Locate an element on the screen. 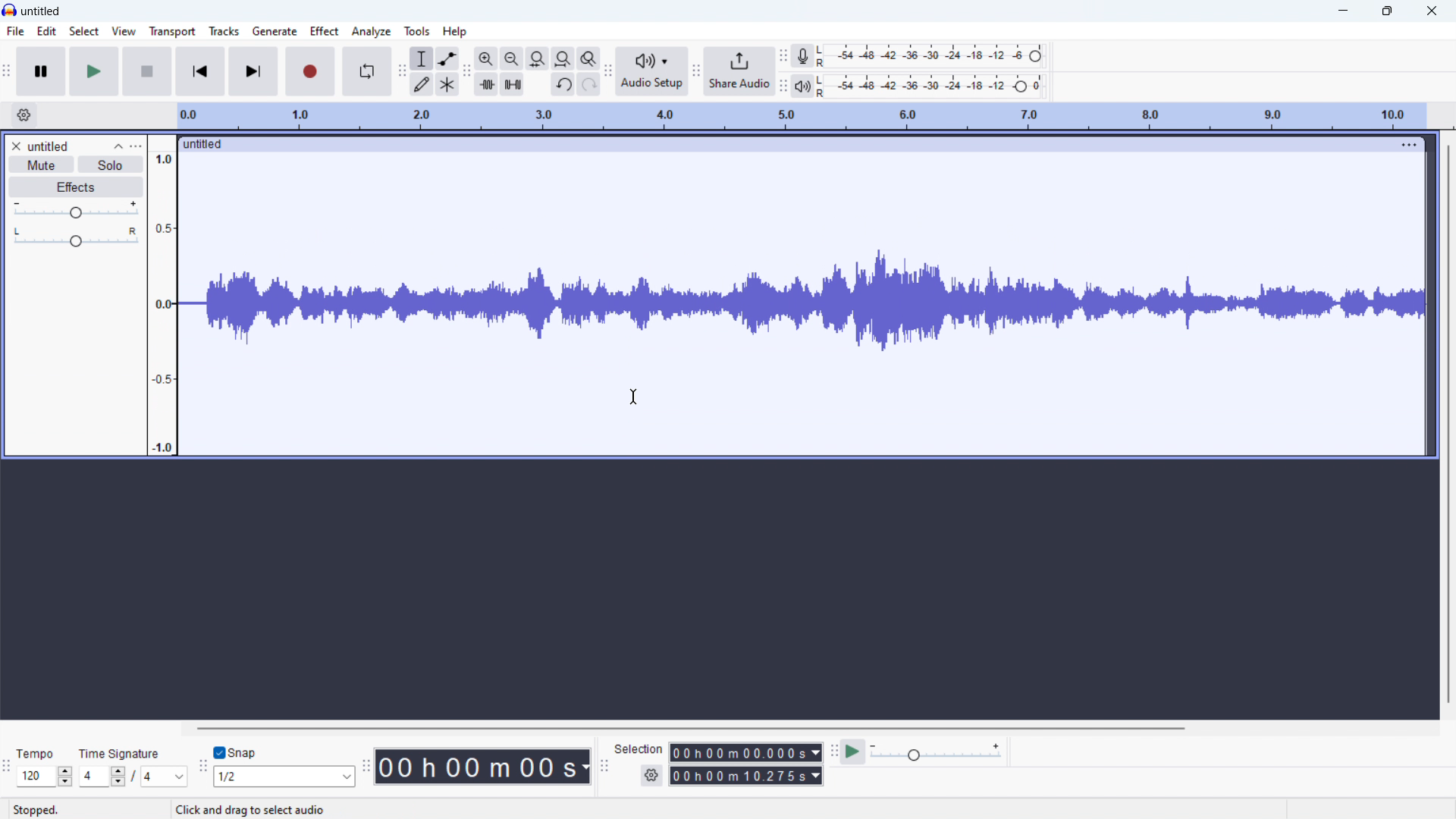 The image size is (1456, 819). track control panel menu is located at coordinates (136, 146).